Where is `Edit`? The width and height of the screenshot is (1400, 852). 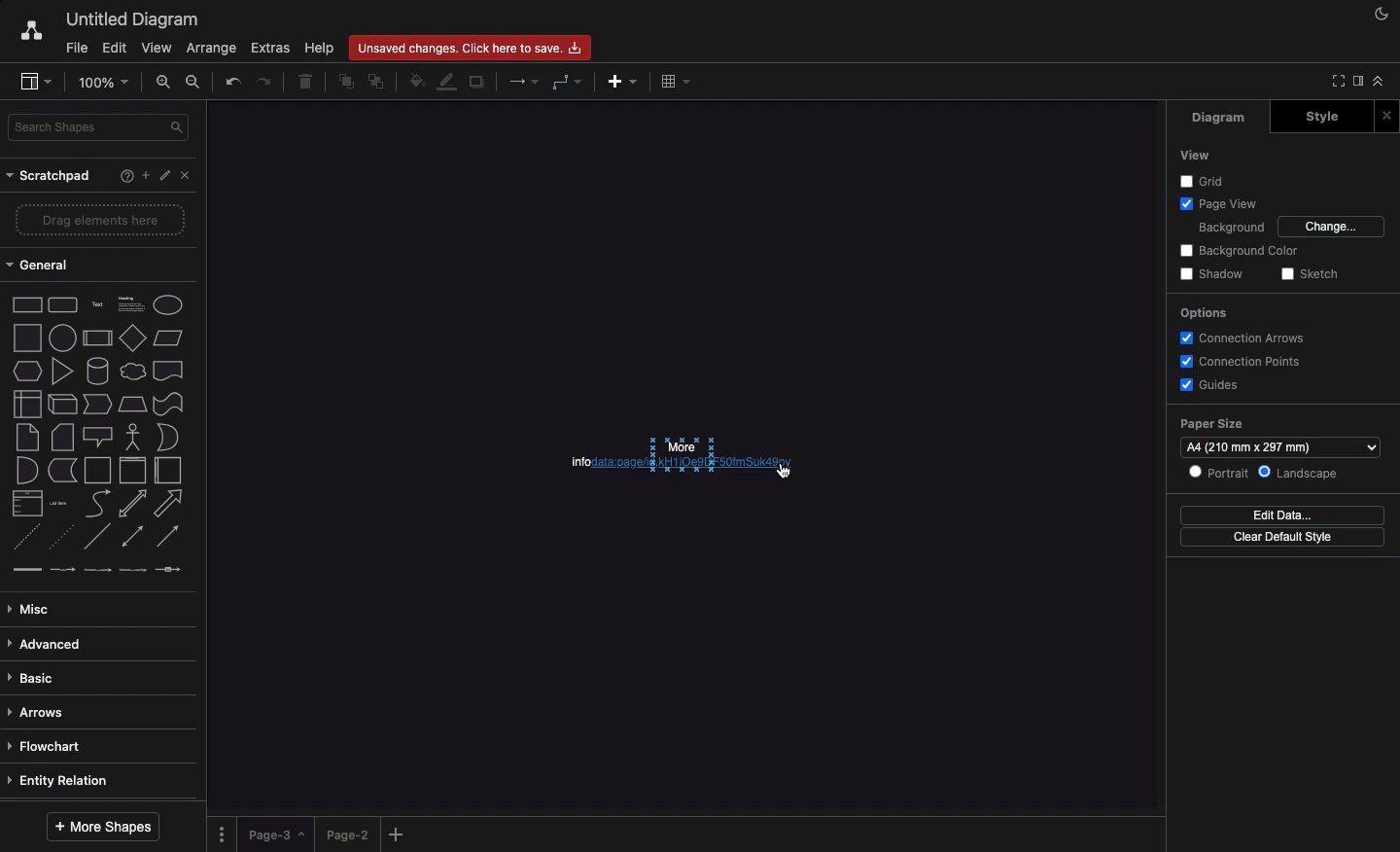
Edit is located at coordinates (114, 49).